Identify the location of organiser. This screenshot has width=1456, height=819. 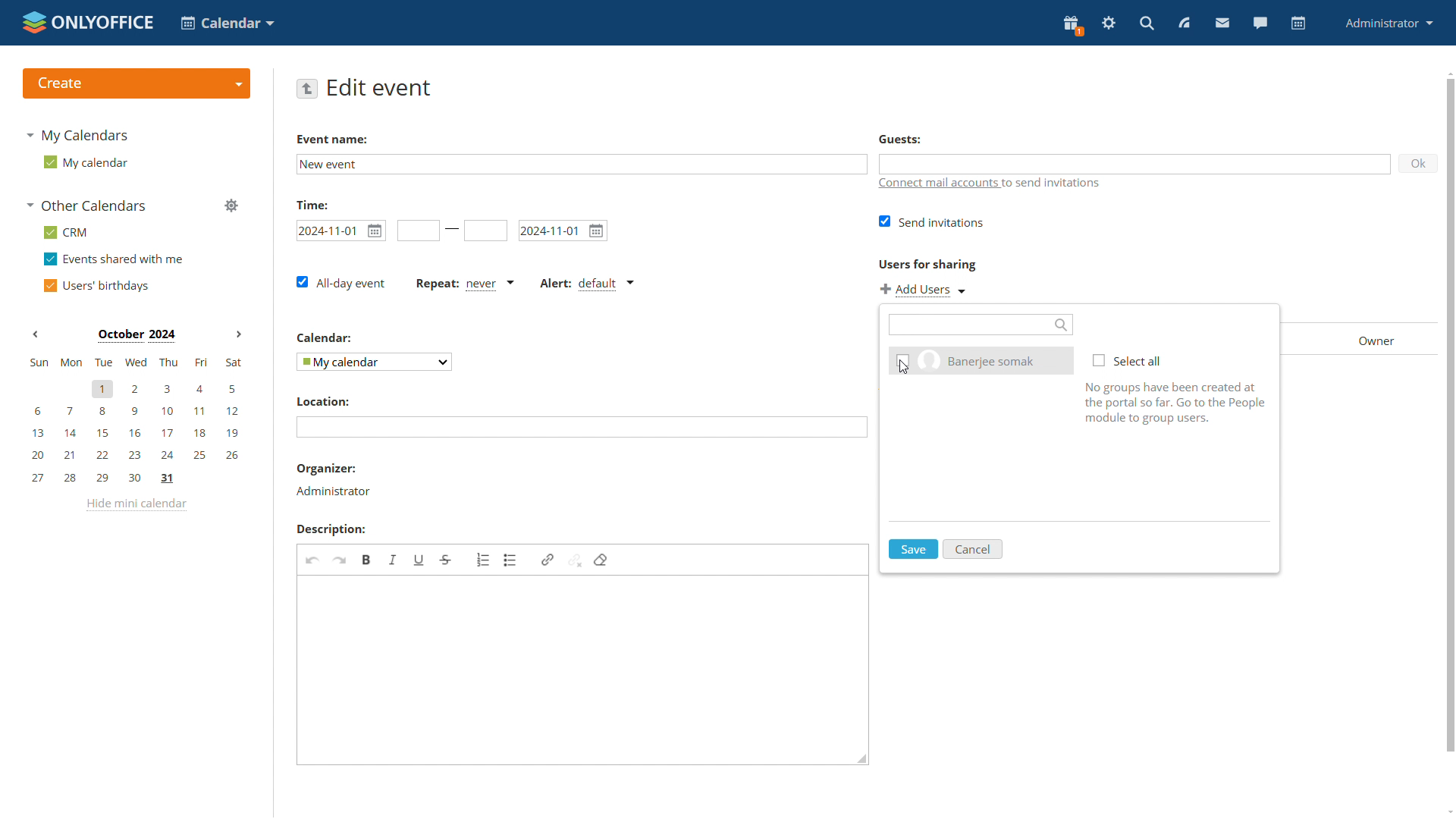
(325, 469).